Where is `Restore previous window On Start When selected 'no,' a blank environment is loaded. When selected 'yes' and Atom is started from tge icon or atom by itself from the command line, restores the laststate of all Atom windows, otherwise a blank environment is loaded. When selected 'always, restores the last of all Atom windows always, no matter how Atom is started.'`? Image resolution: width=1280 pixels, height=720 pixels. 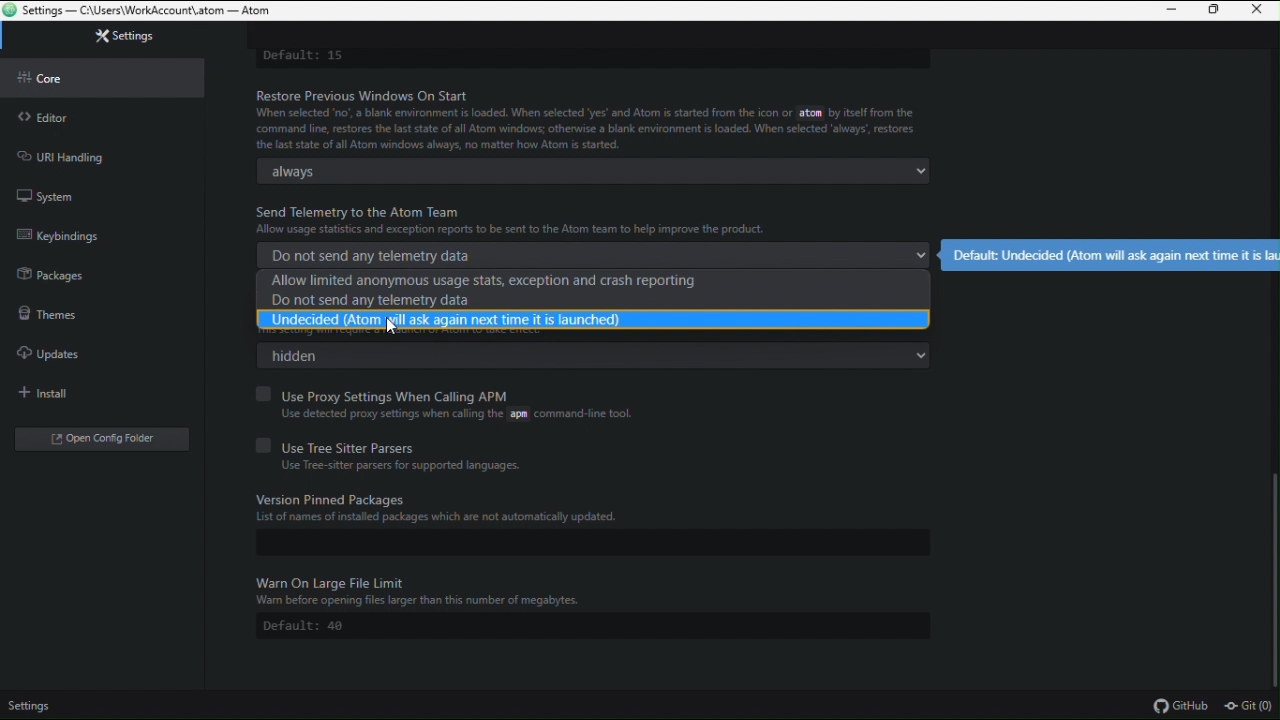 Restore previous window On Start When selected 'no,' a blank environment is loaded. When selected 'yes' and Atom is started from tge icon or atom by itself from the command line, restores the laststate of all Atom windows, otherwise a blank environment is loaded. When selected 'always, restores the last of all Atom windows always, no matter how Atom is started.' is located at coordinates (593, 119).